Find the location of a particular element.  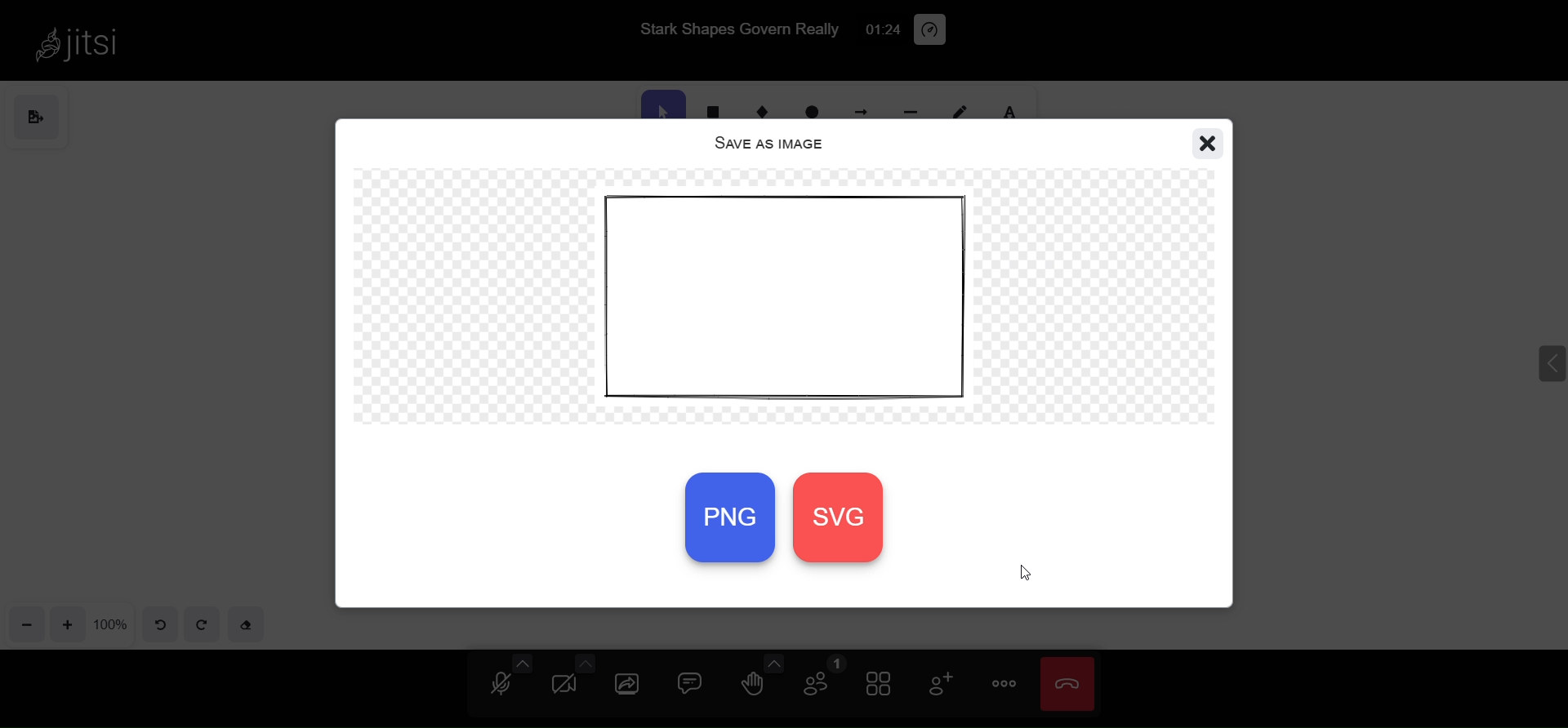

camera is located at coordinates (564, 686).